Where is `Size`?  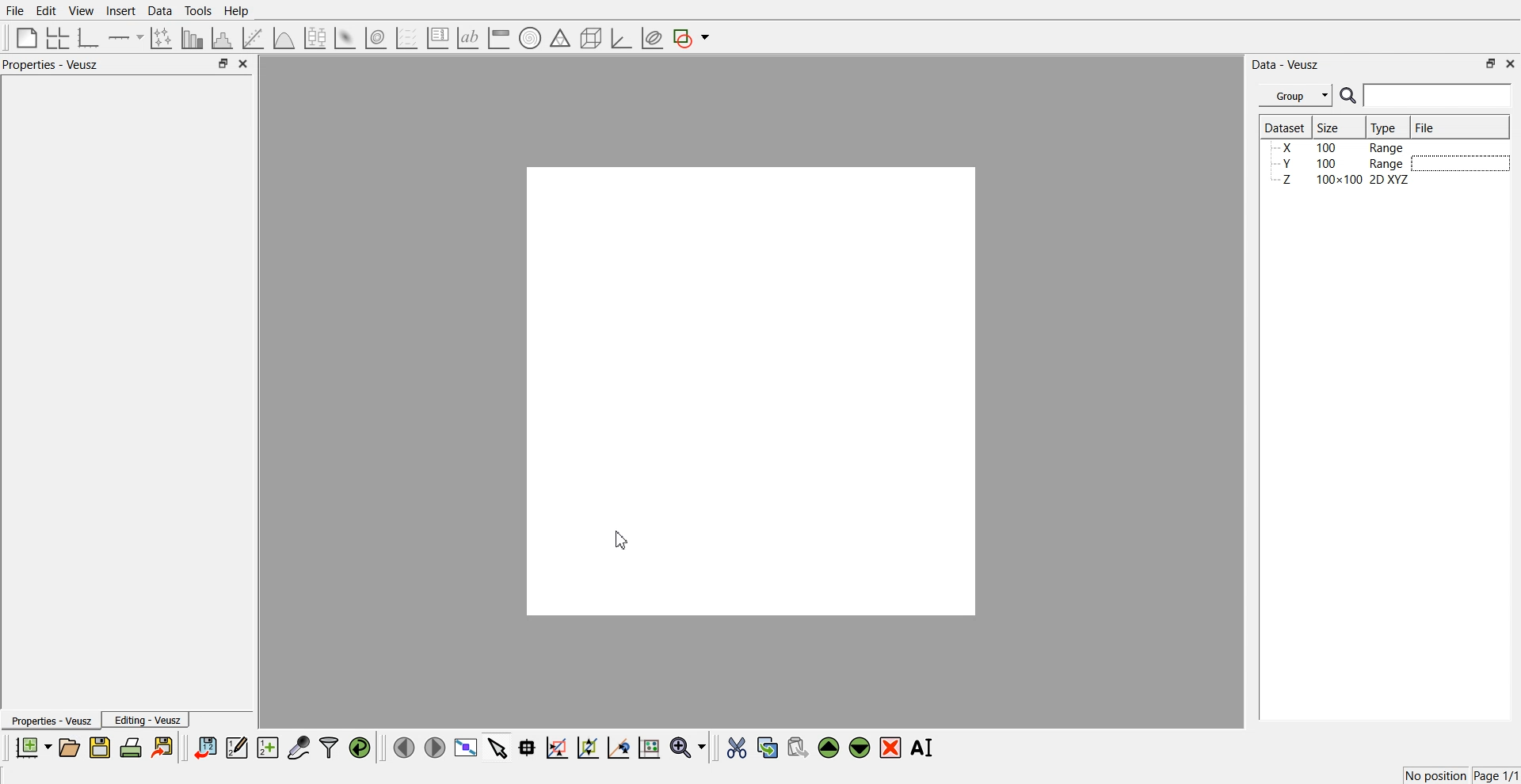
Size is located at coordinates (1331, 127).